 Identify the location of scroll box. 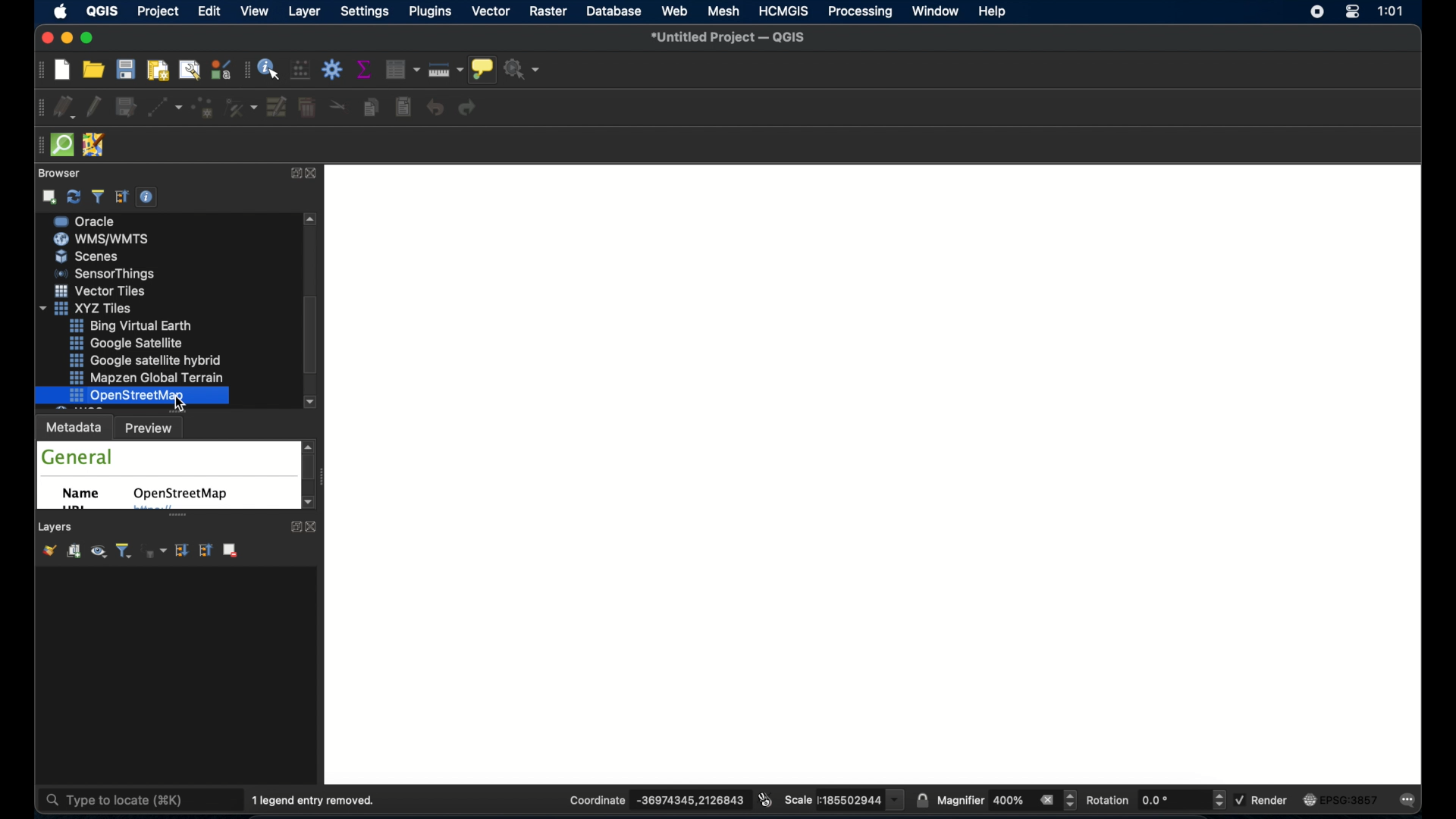
(311, 469).